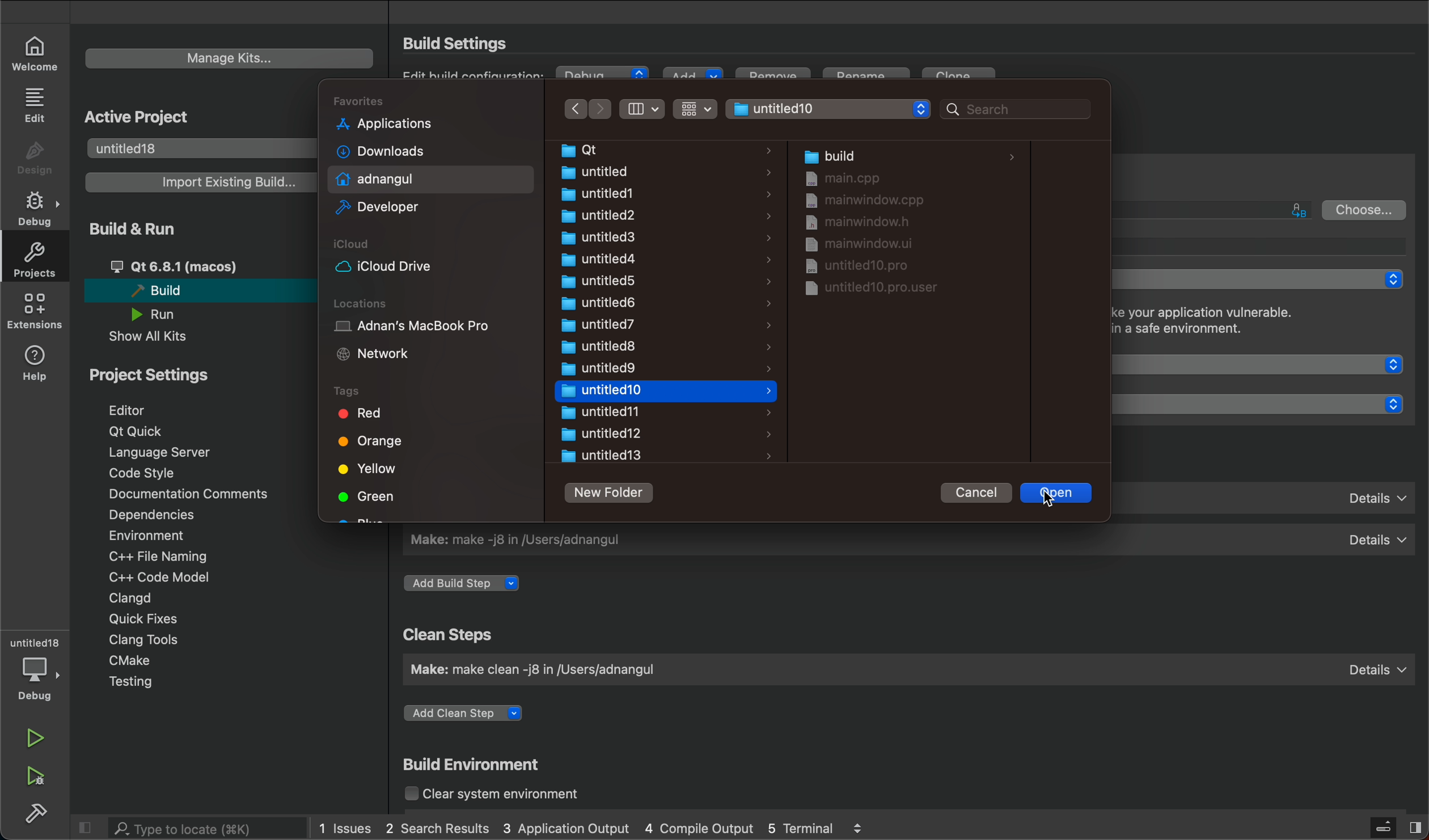  Describe the element at coordinates (574, 108) in the screenshot. I see `Previous` at that location.